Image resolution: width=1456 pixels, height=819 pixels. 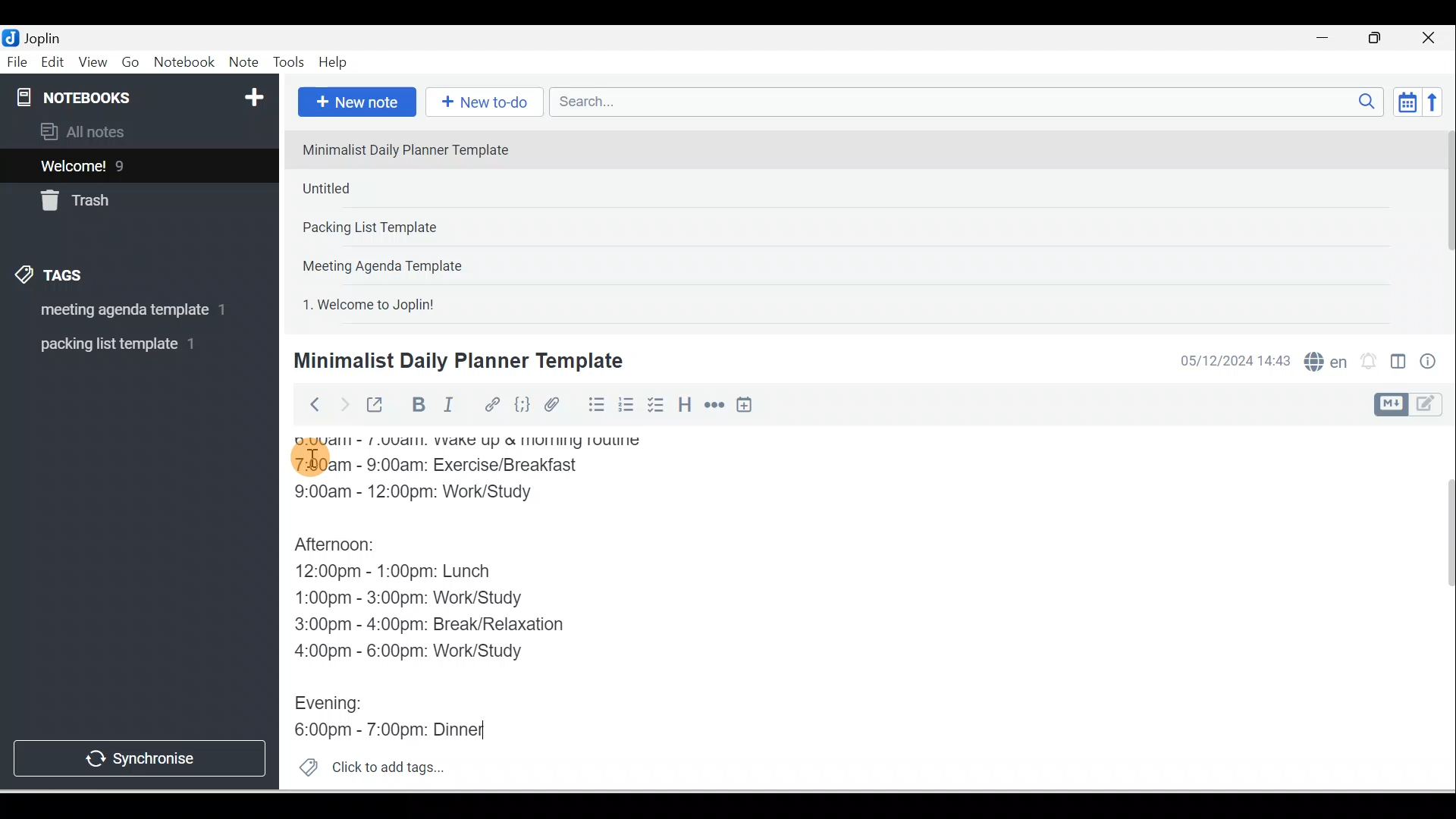 What do you see at coordinates (744, 406) in the screenshot?
I see `Insert time` at bounding box center [744, 406].